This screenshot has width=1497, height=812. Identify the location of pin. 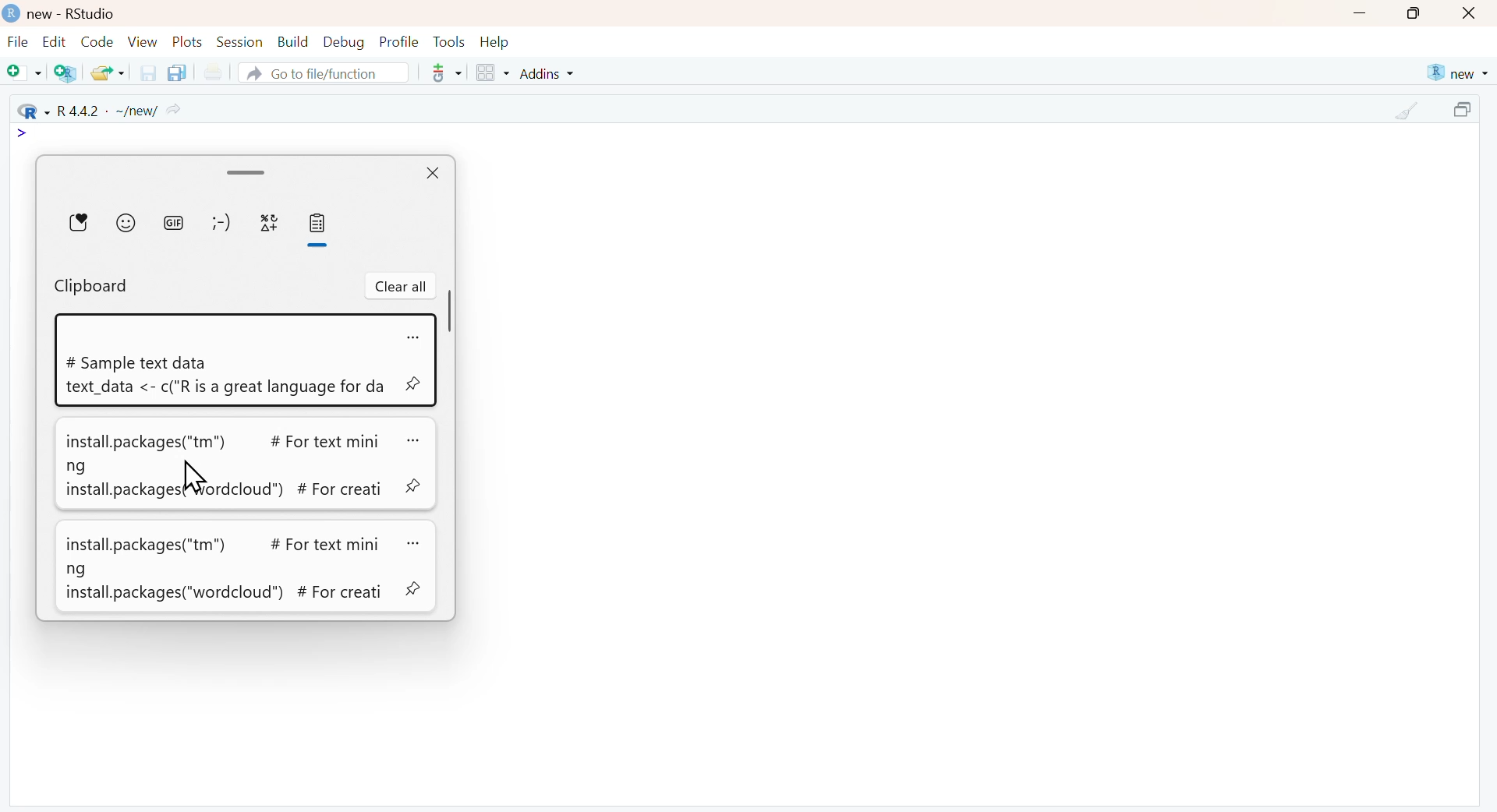
(415, 385).